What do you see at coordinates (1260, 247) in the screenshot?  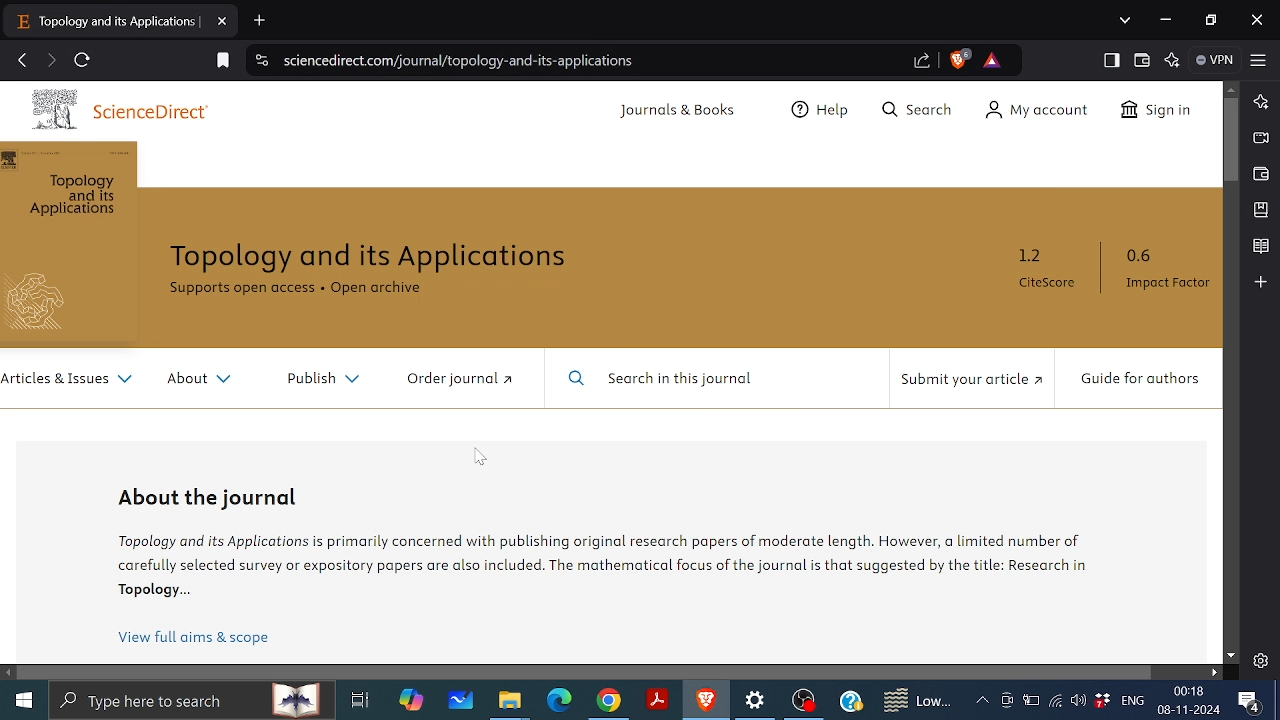 I see `Reading list` at bounding box center [1260, 247].